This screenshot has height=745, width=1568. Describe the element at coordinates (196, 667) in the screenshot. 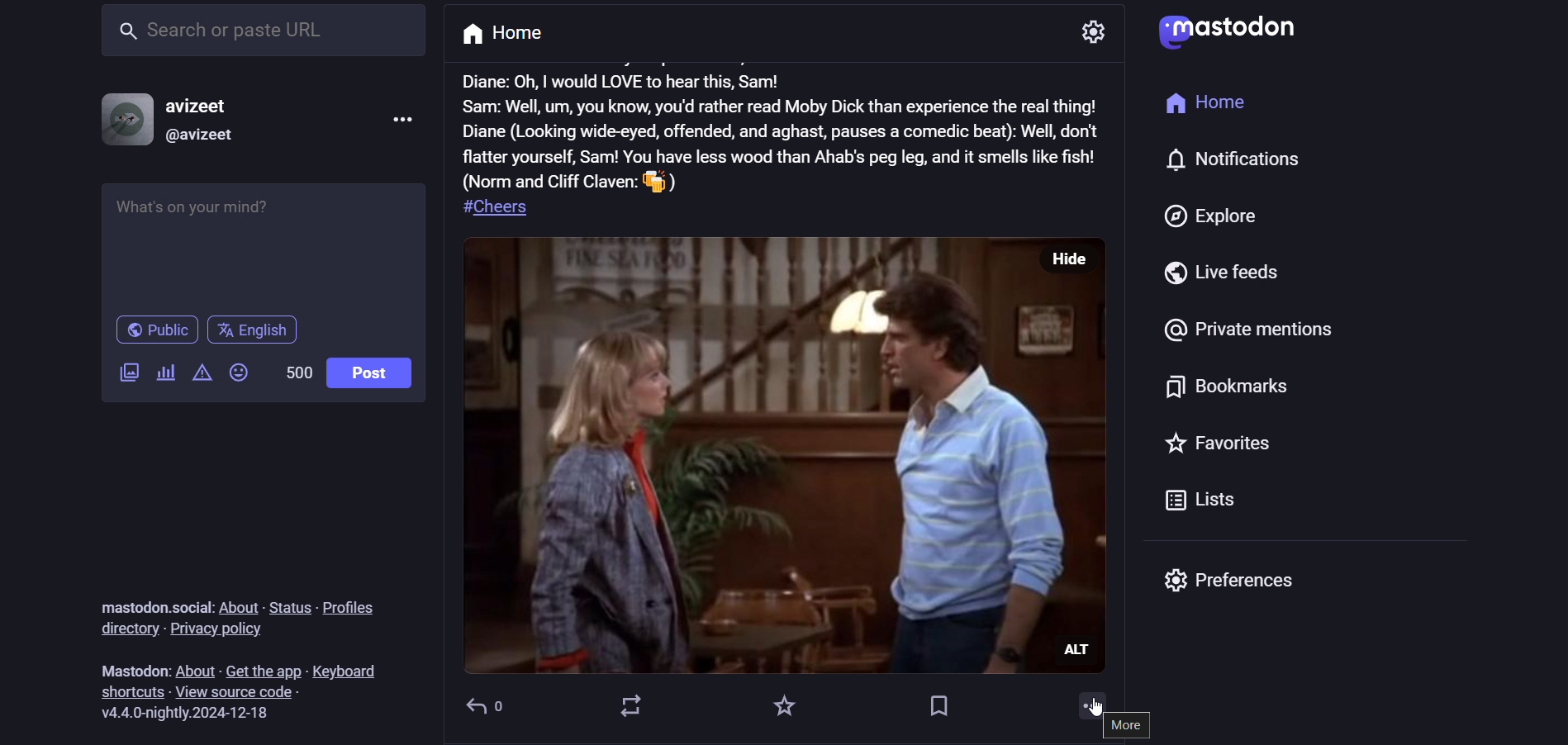

I see `about` at that location.